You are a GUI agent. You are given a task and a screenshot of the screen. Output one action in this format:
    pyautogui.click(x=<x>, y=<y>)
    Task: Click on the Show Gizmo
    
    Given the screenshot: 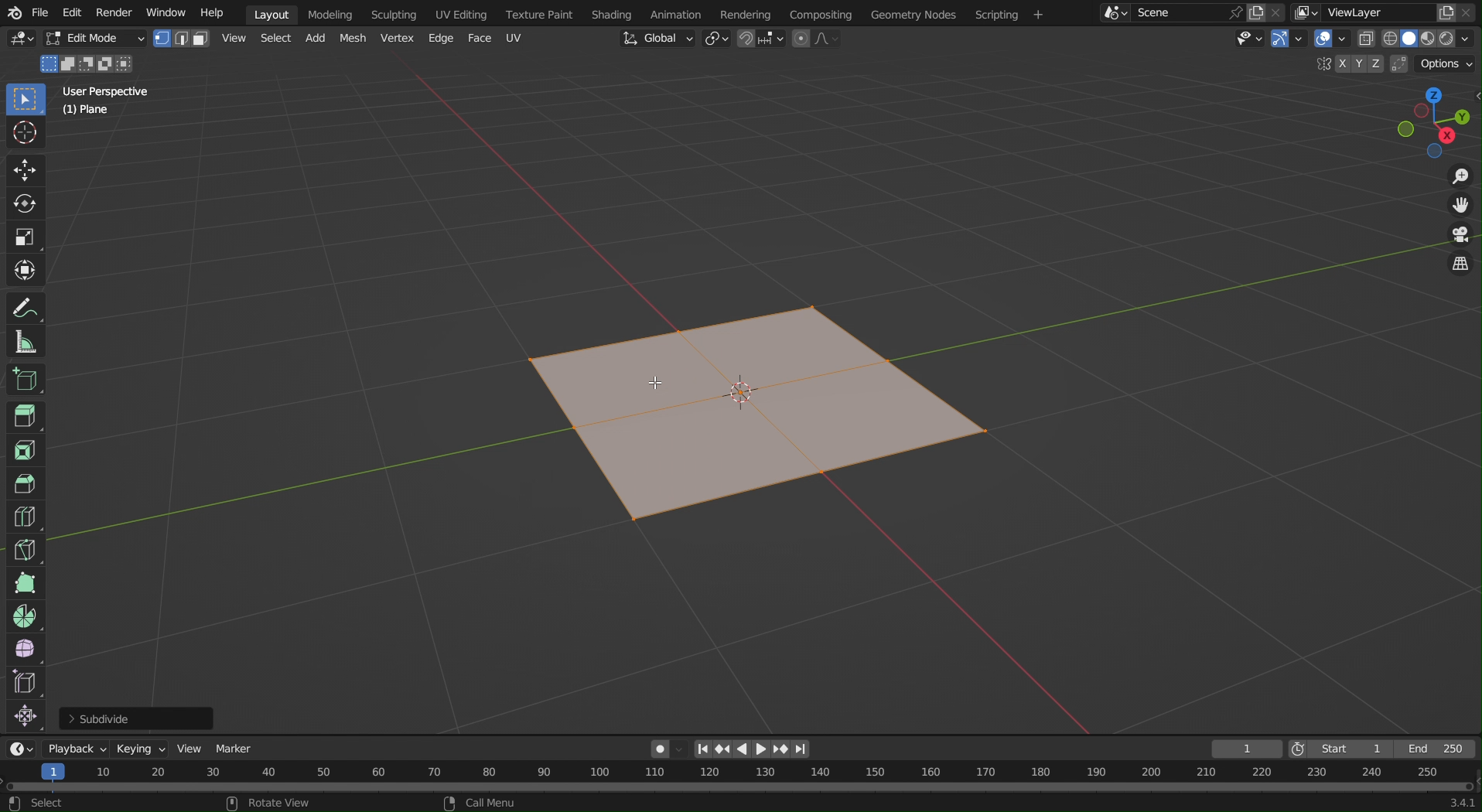 What is the action you would take?
    pyautogui.click(x=1288, y=41)
    